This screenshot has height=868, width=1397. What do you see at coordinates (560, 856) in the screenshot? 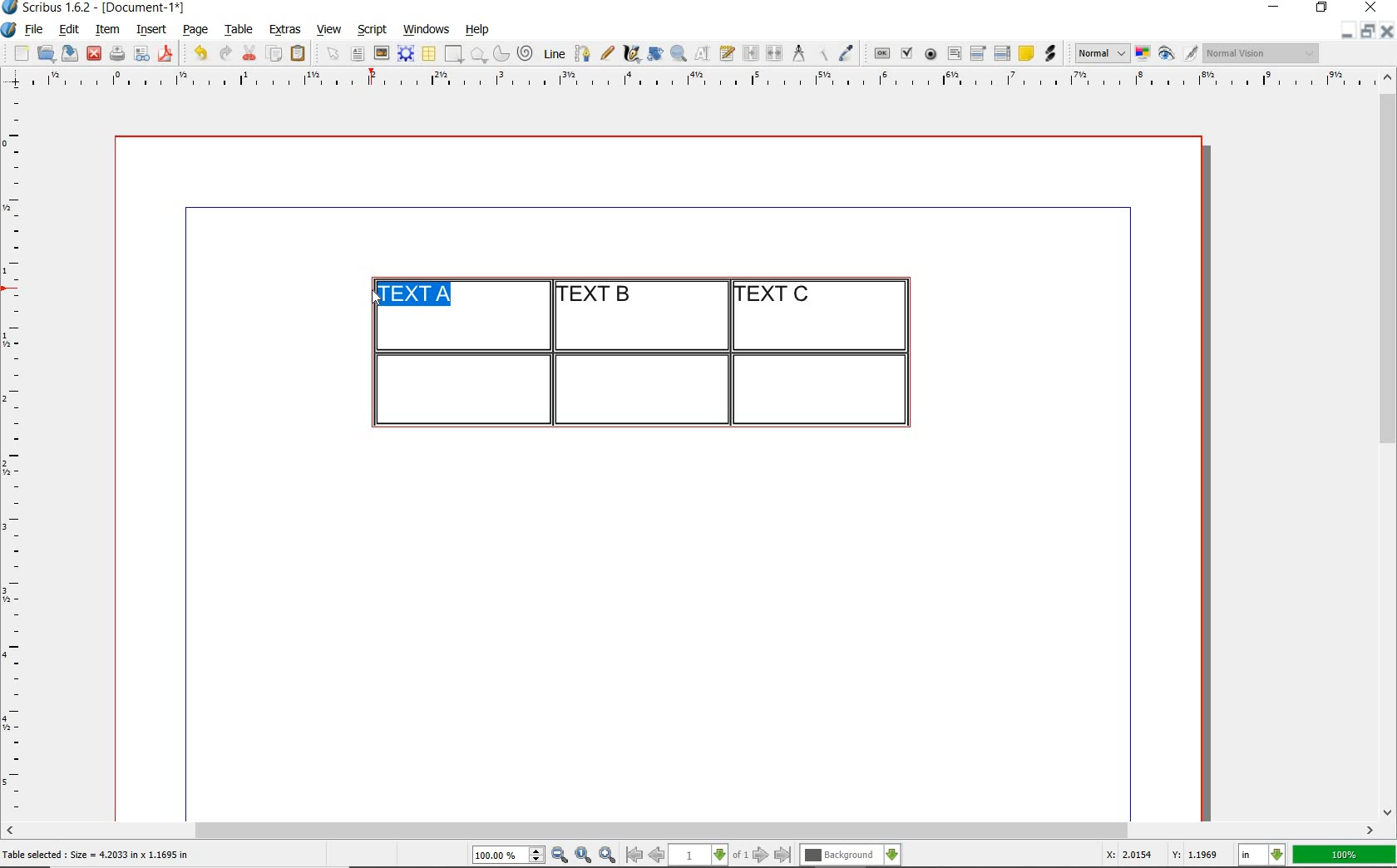
I see `zoom out` at bounding box center [560, 856].